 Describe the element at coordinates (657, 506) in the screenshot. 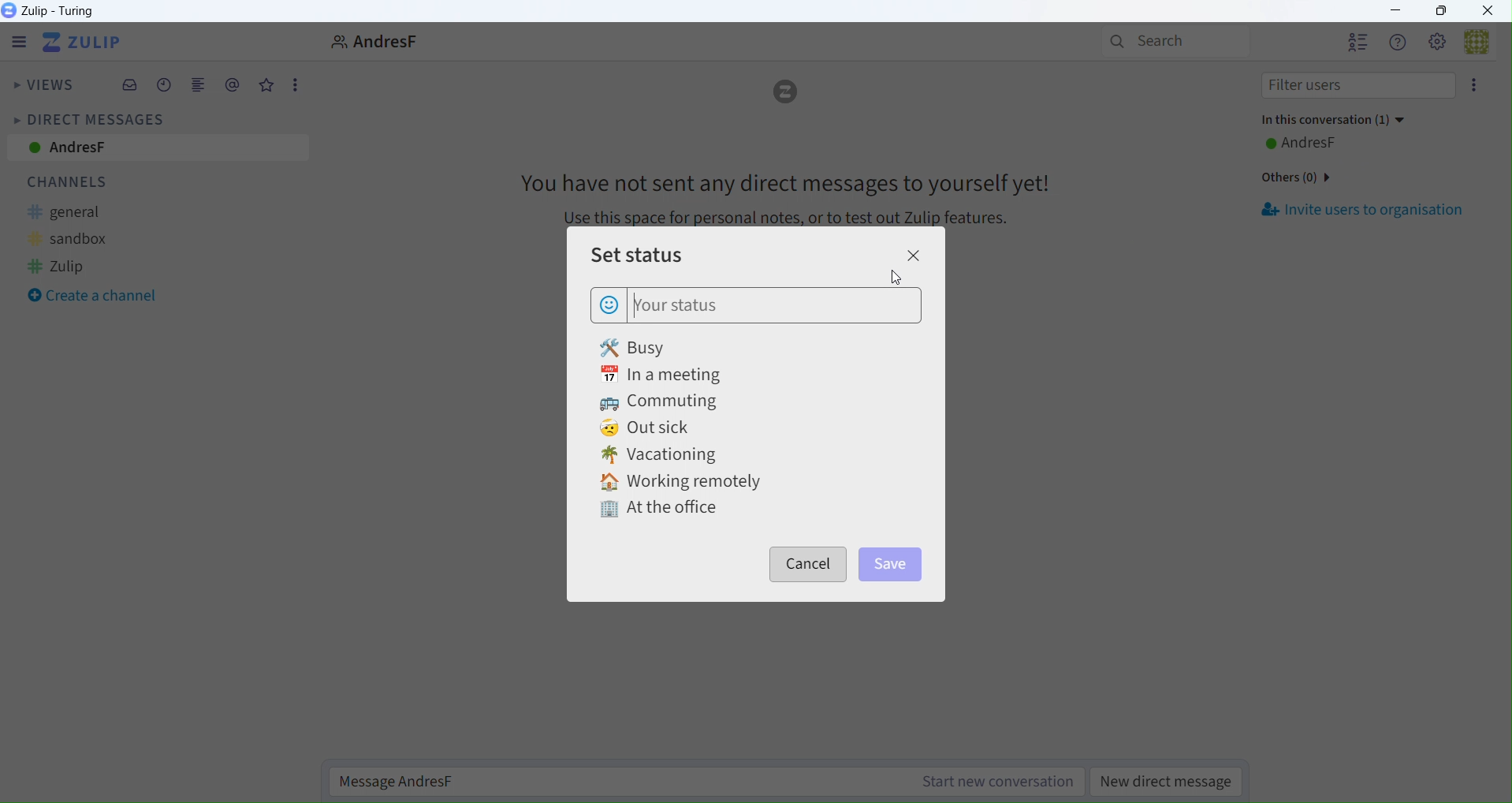

I see `At the office` at that location.